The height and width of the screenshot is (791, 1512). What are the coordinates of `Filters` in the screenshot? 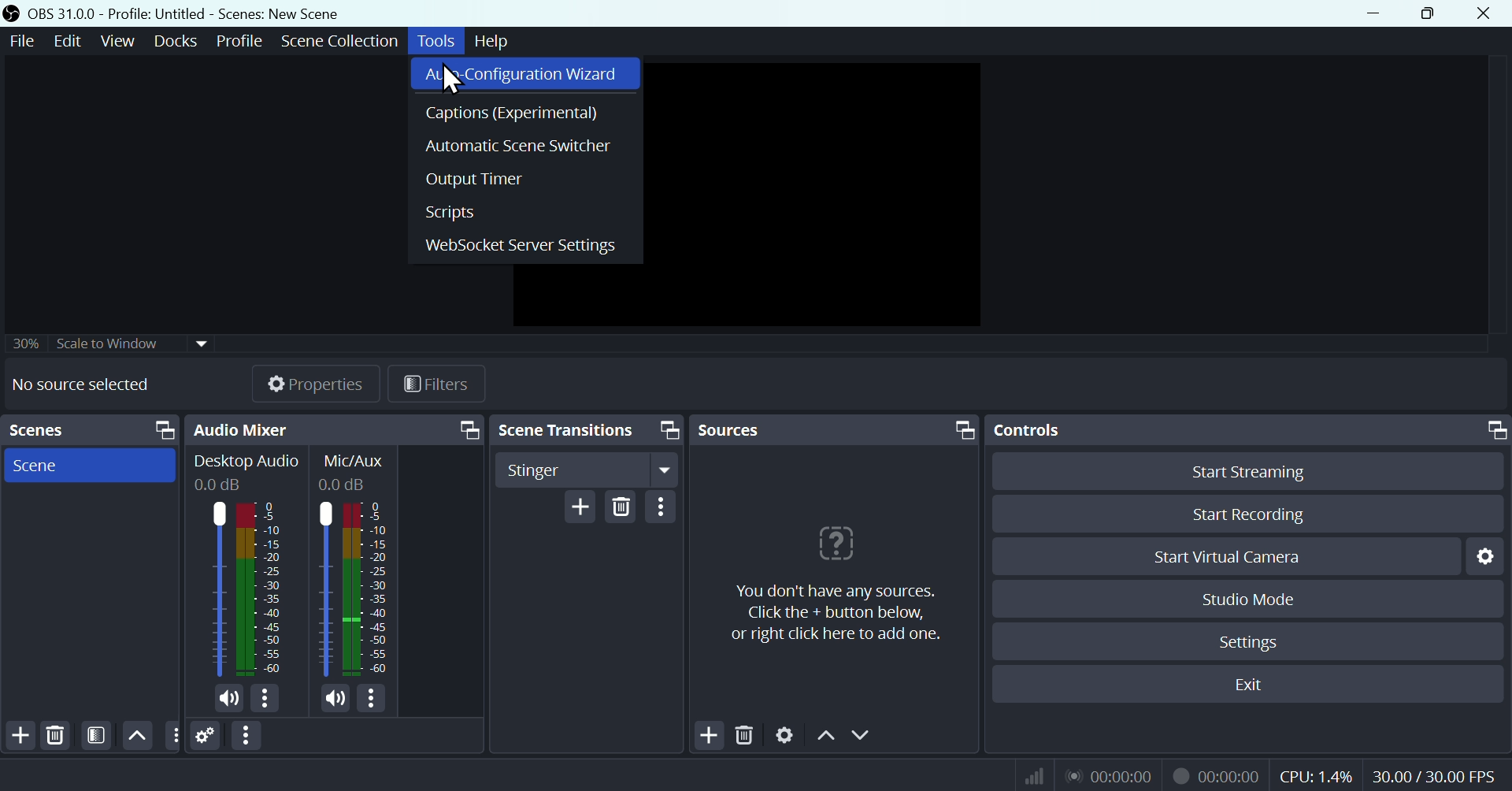 It's located at (94, 736).